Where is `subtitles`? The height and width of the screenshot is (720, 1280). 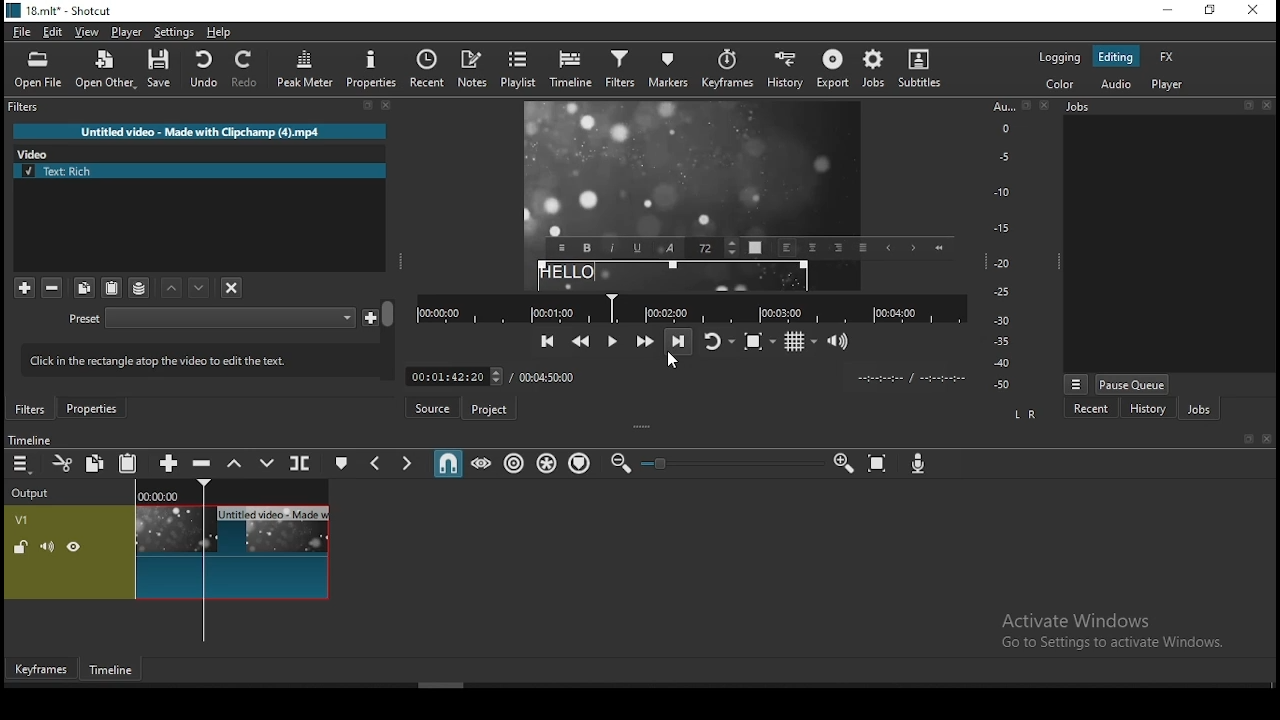 subtitles is located at coordinates (925, 72).